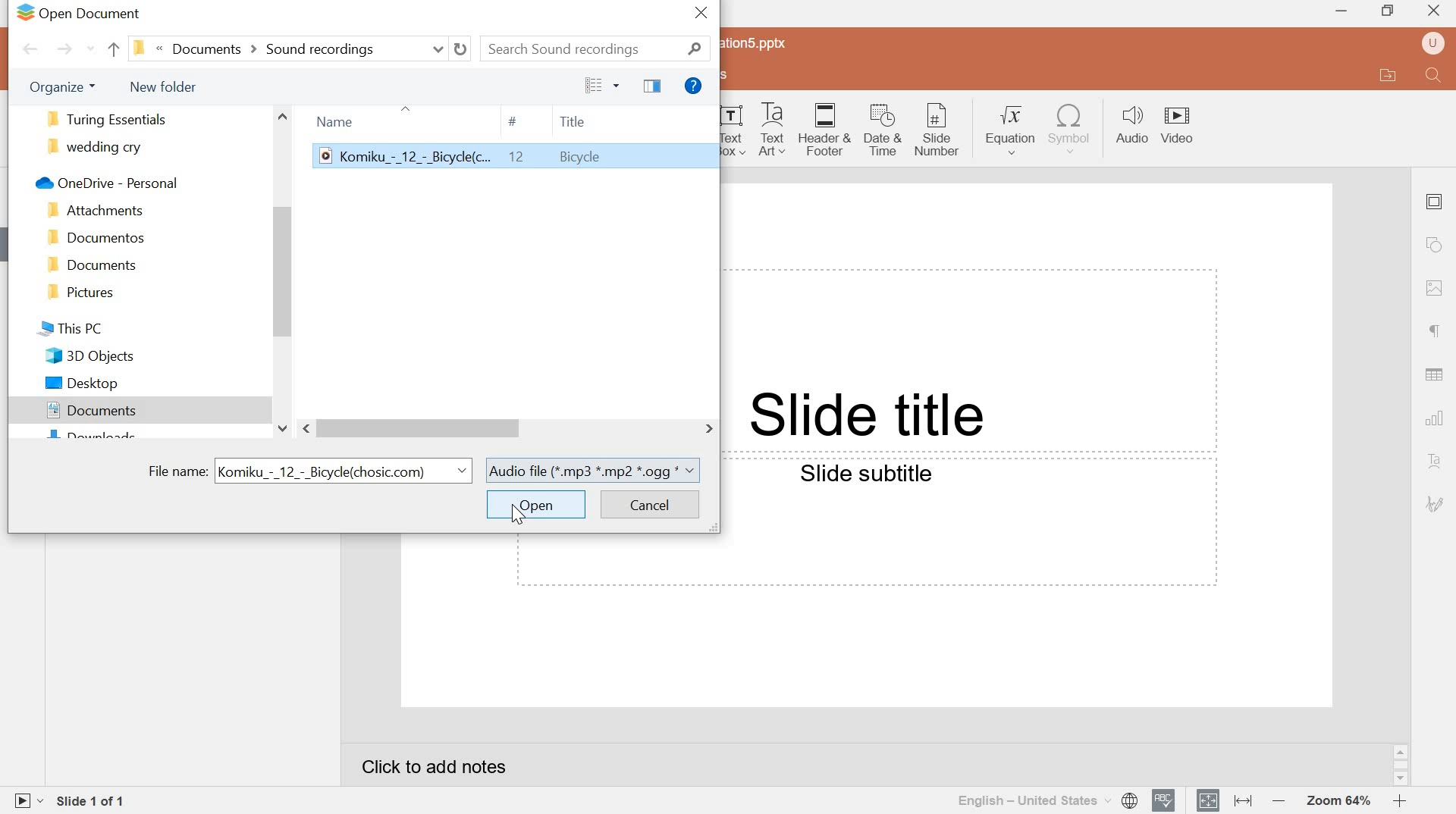  What do you see at coordinates (93, 211) in the screenshot?
I see `attachments folder` at bounding box center [93, 211].